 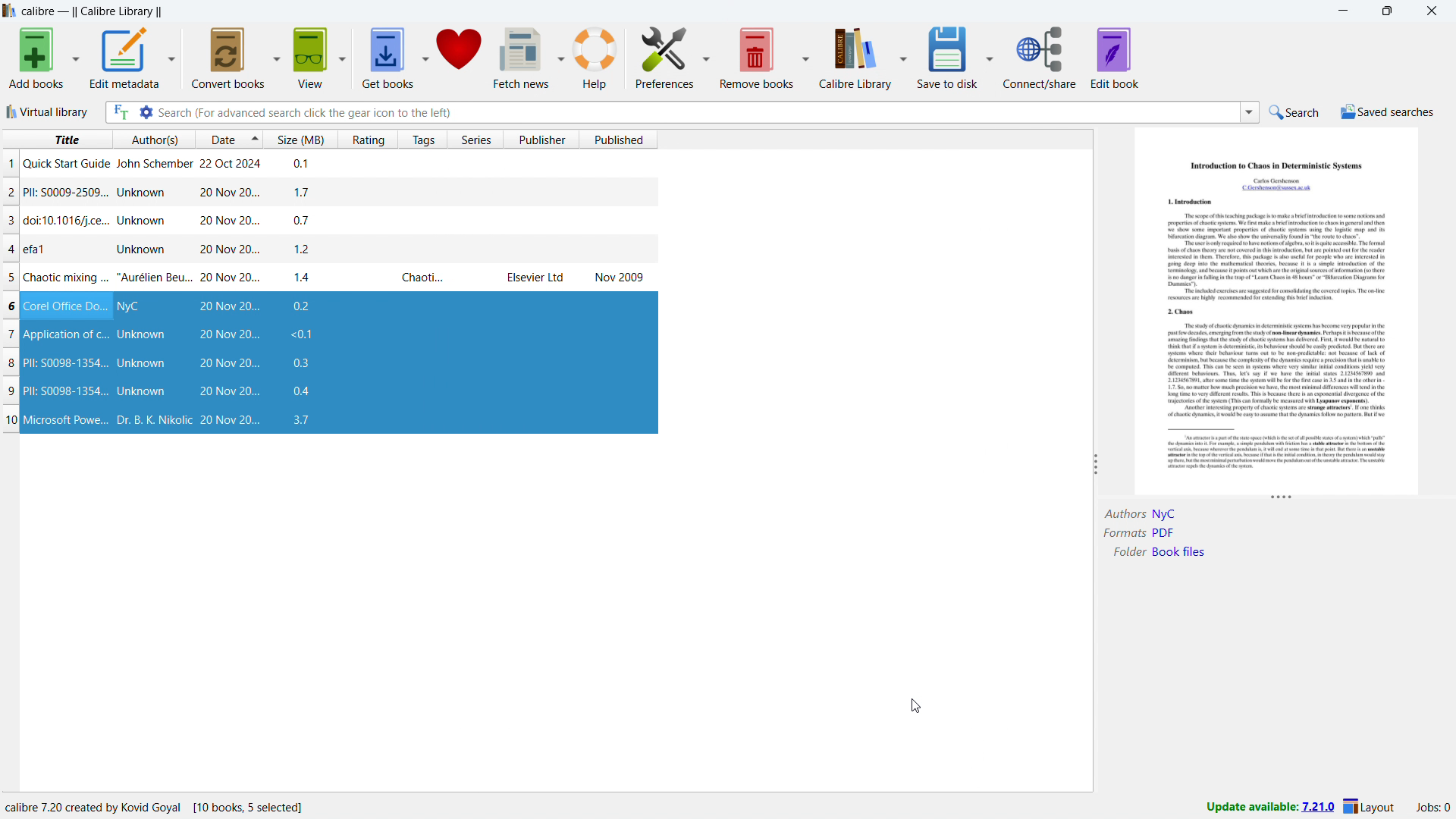 What do you see at coordinates (757, 59) in the screenshot?
I see `remove books` at bounding box center [757, 59].